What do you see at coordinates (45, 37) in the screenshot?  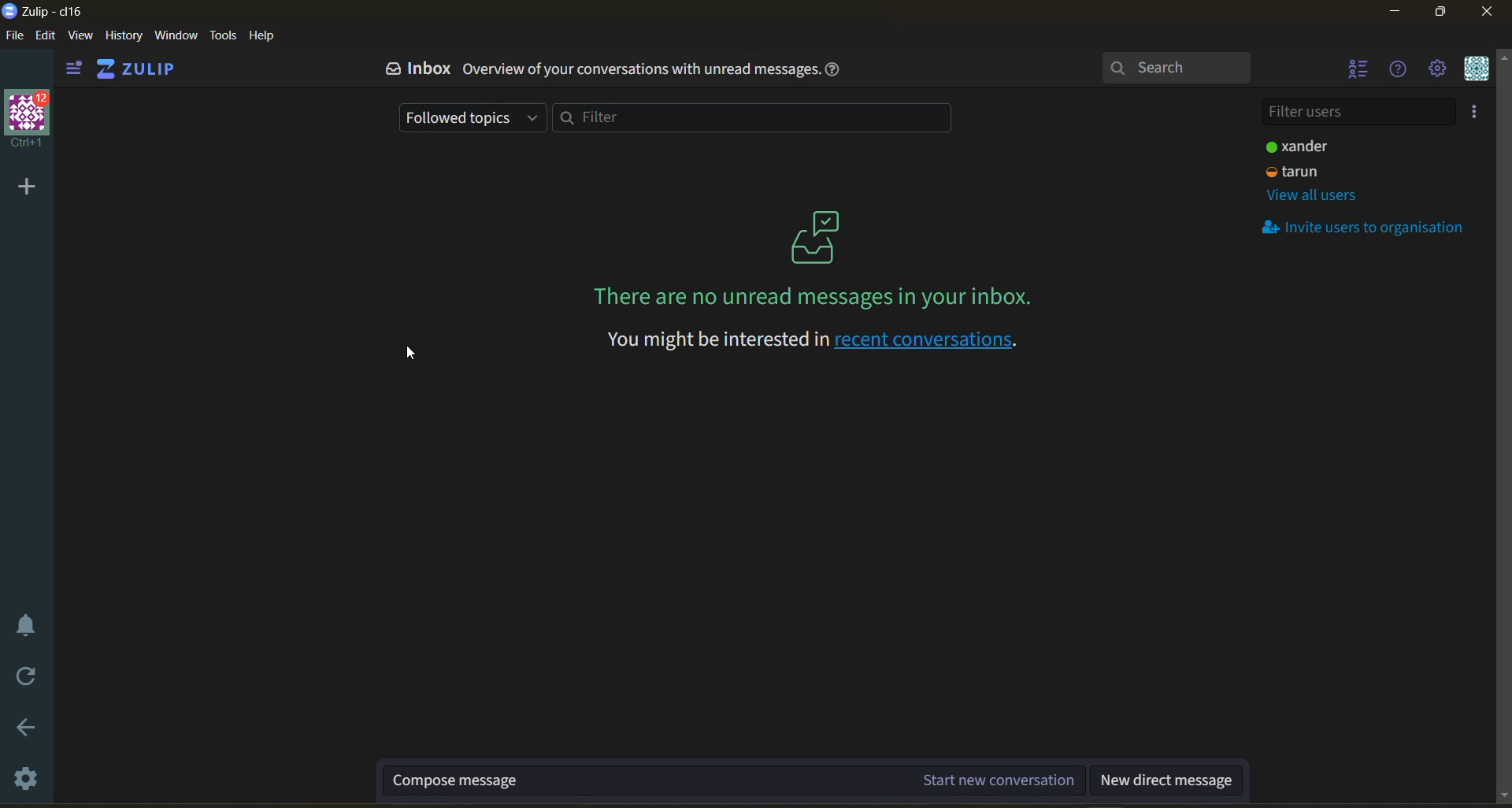 I see `edit` at bounding box center [45, 37].